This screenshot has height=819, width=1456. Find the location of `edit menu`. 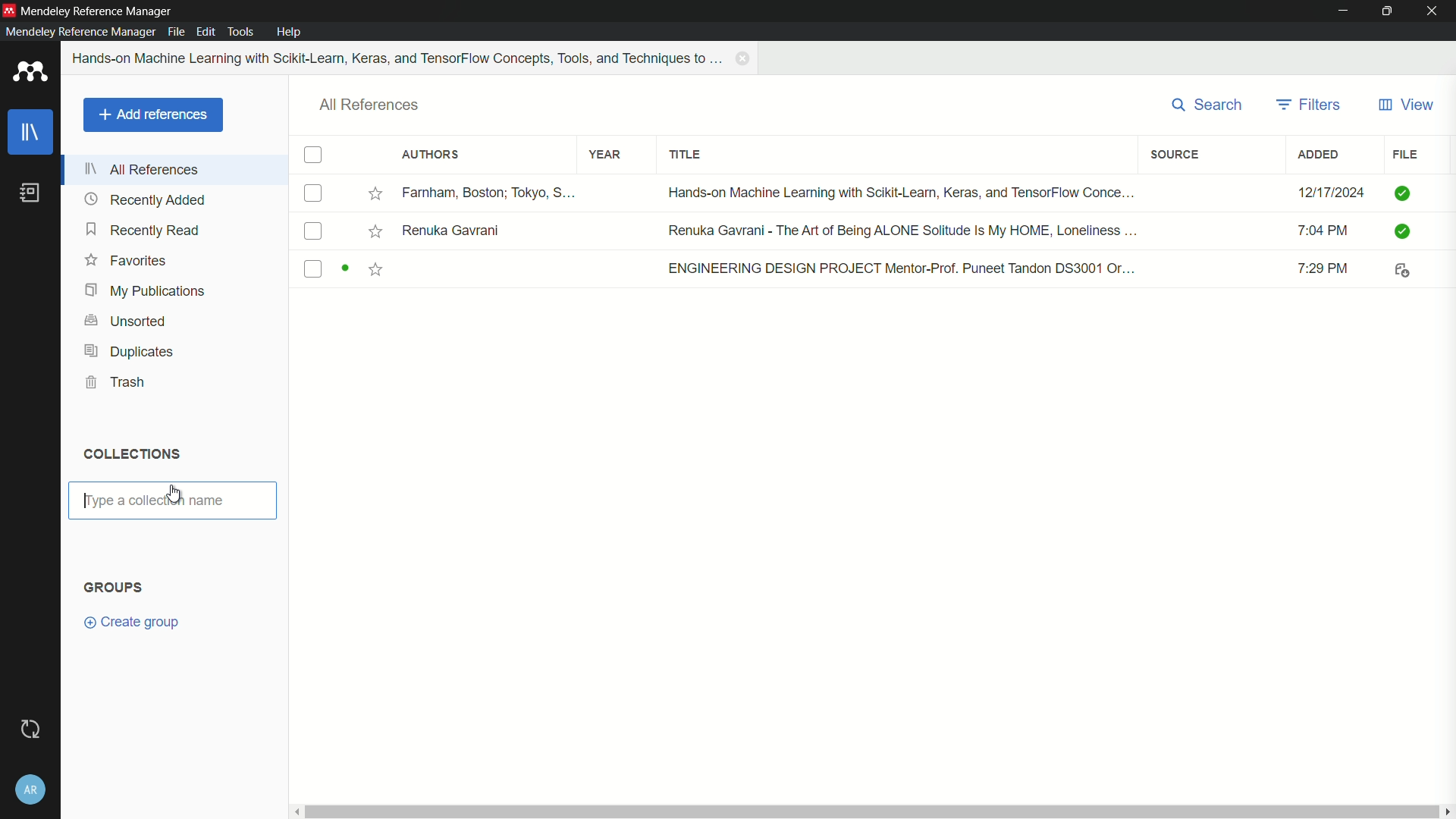

edit menu is located at coordinates (206, 32).